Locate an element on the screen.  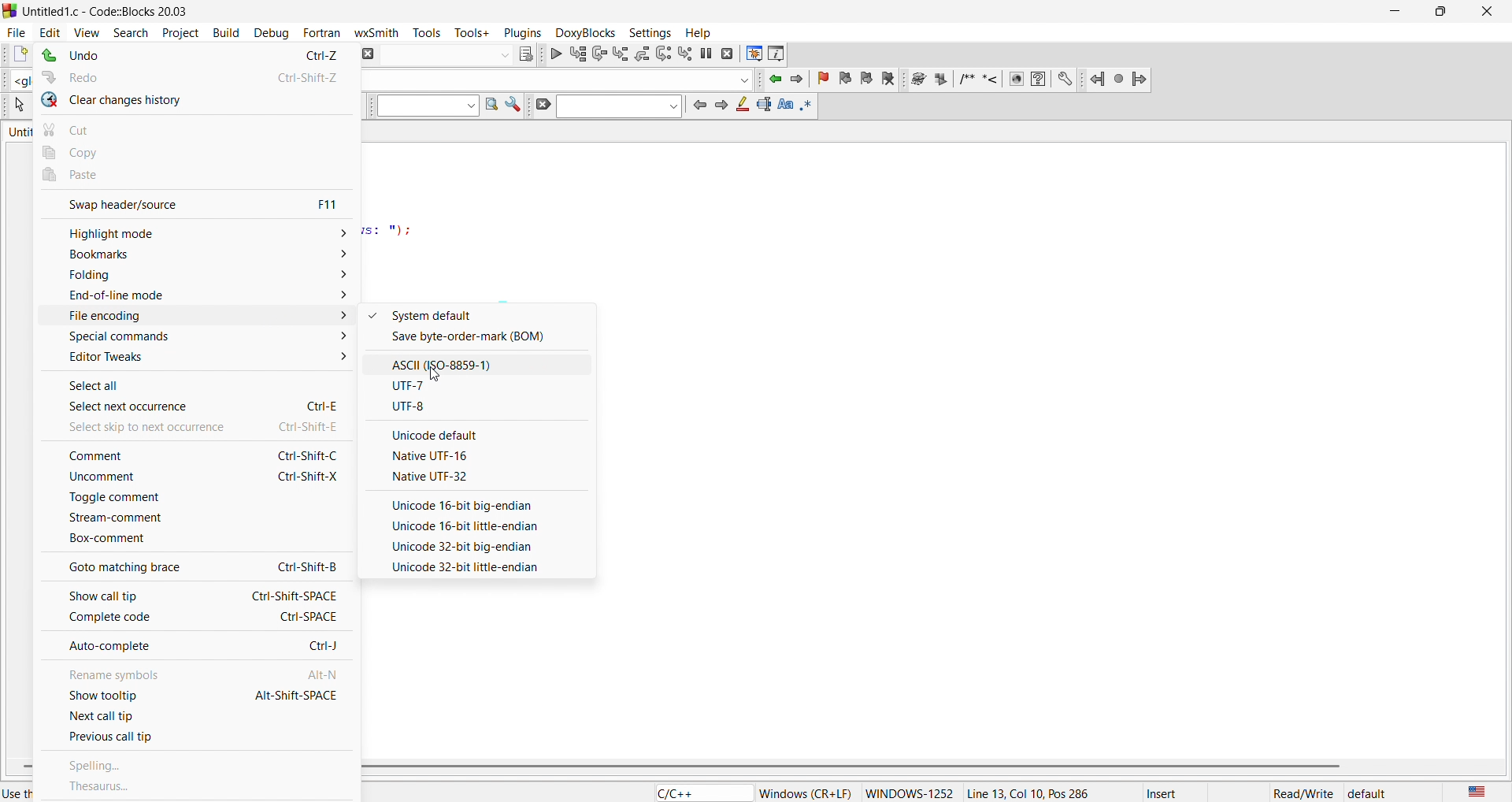
vertical scroll bar is located at coordinates (858, 765).